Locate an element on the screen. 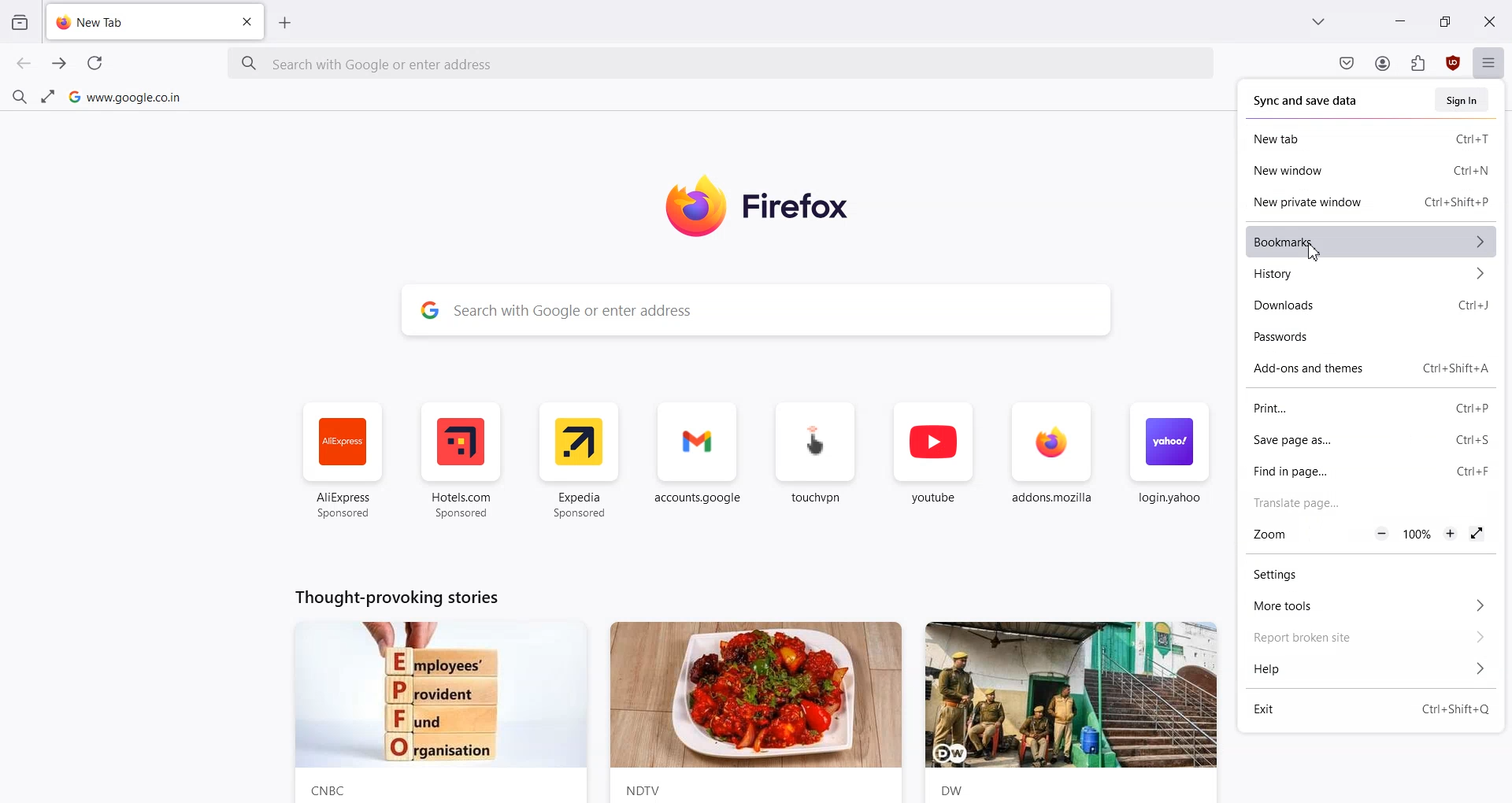 Image resolution: width=1512 pixels, height=803 pixels. Zoom Out is located at coordinates (1383, 533).